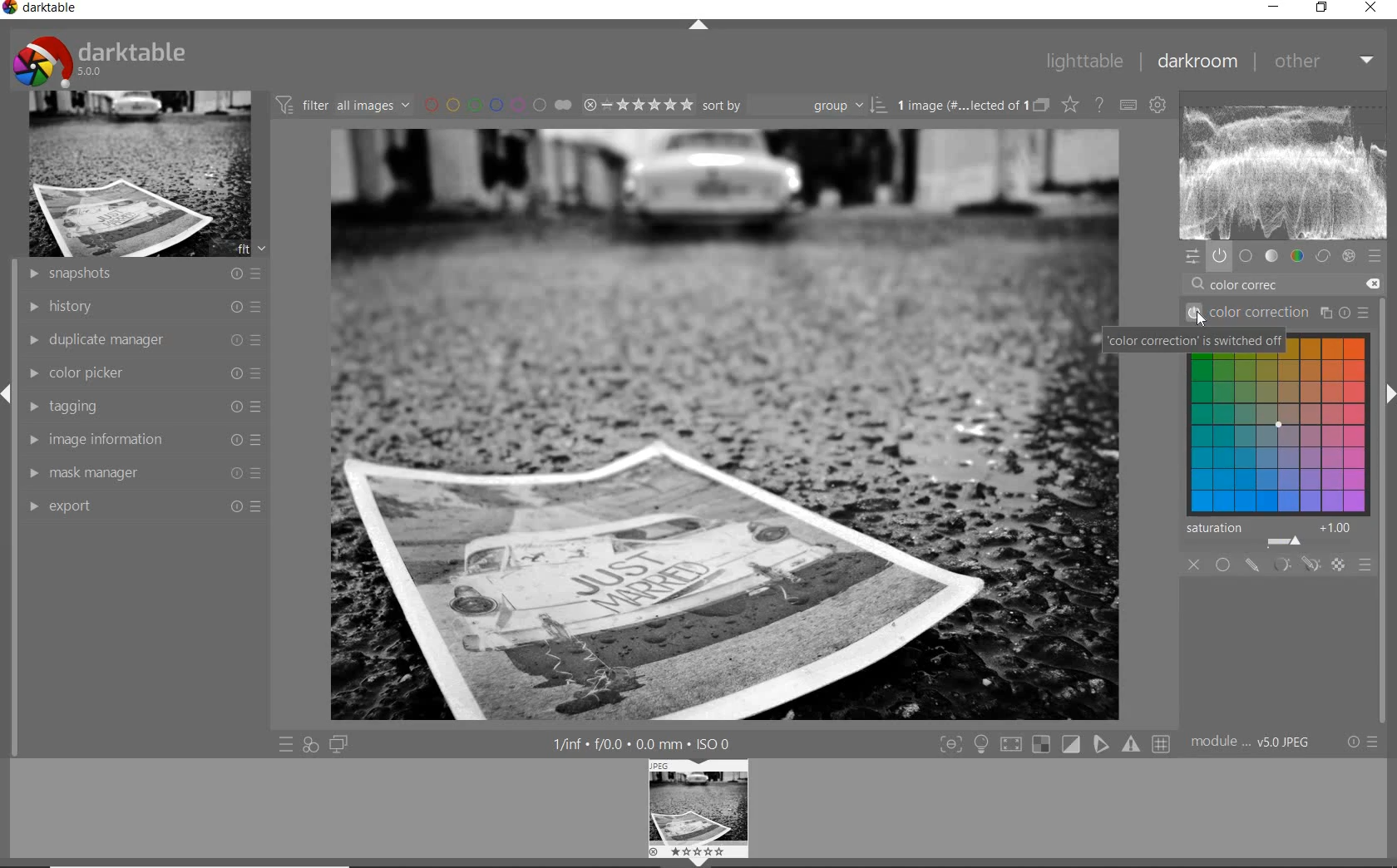 Image resolution: width=1397 pixels, height=868 pixels. Describe the element at coordinates (146, 439) in the screenshot. I see `image information` at that location.